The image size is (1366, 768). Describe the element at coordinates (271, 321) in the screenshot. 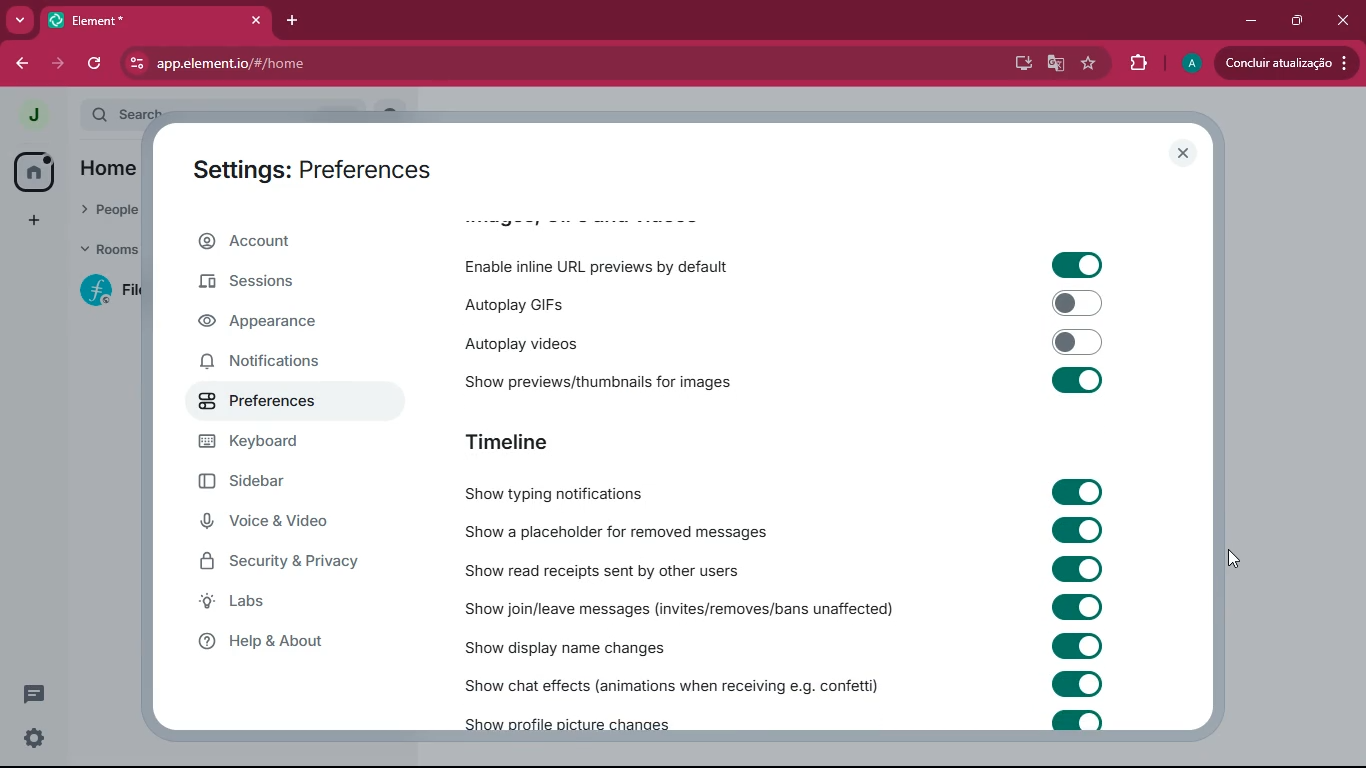

I see `appearance` at that location.